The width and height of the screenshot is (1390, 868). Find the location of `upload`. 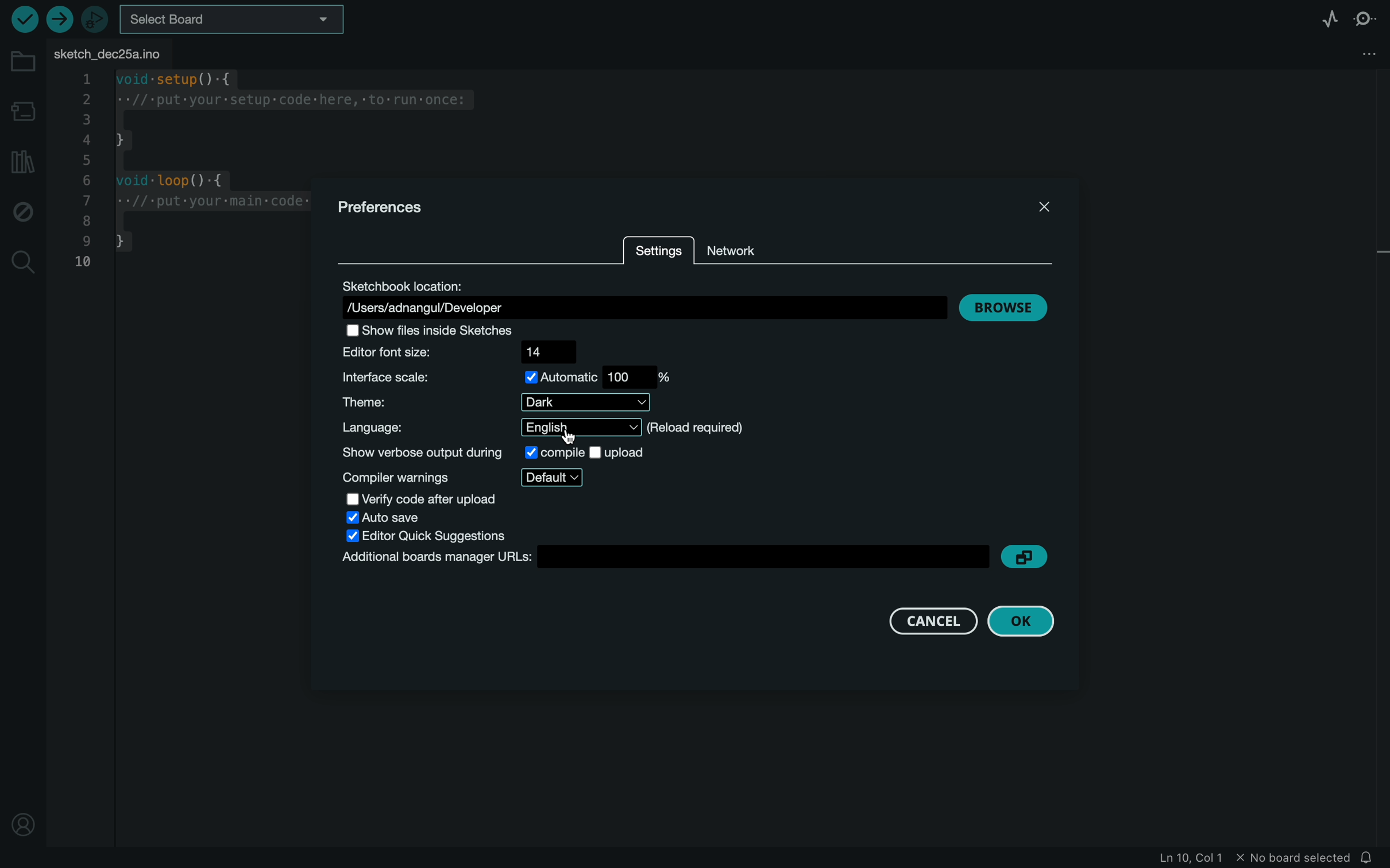

upload is located at coordinates (57, 21).